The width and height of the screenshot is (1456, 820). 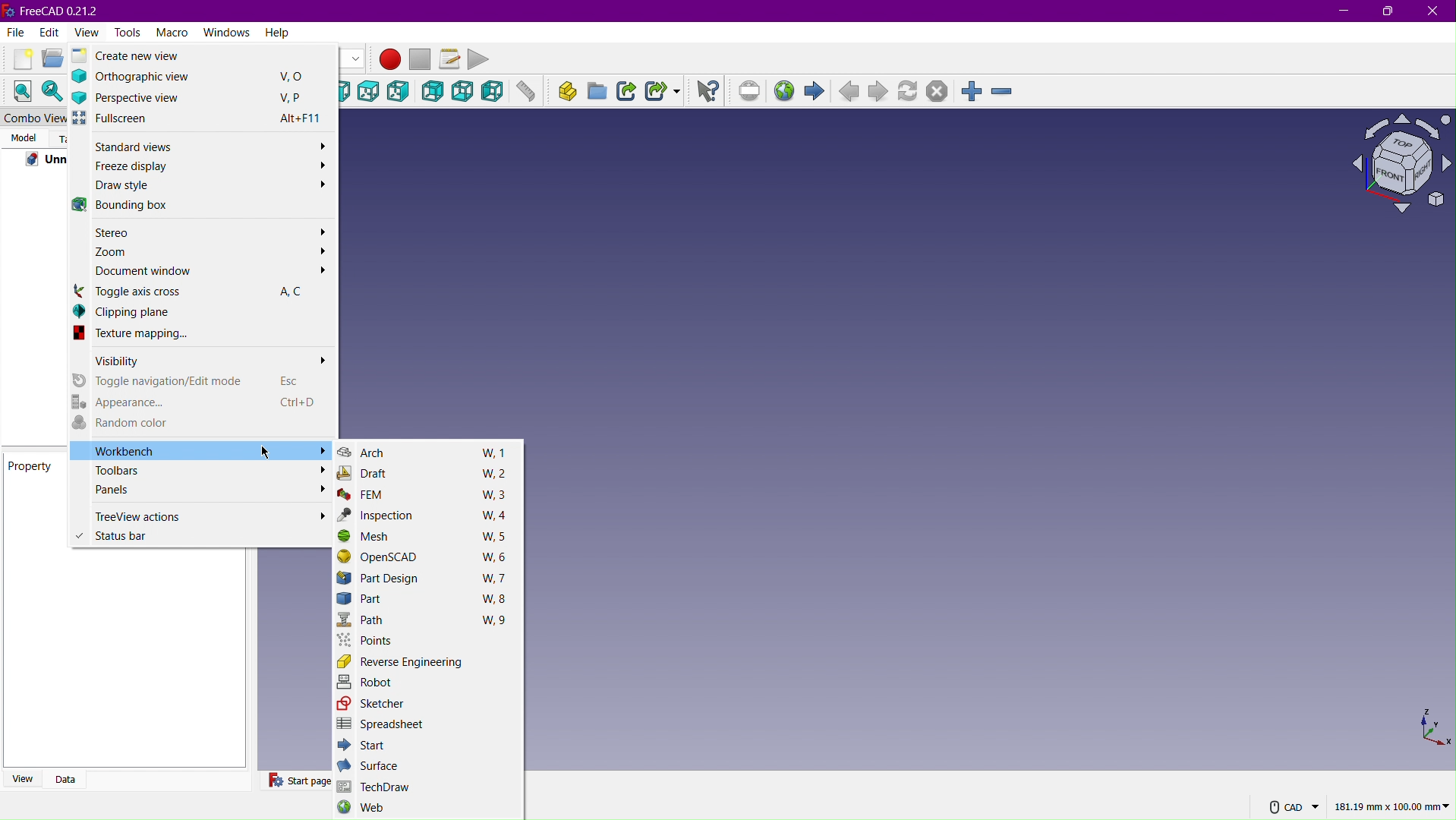 I want to click on Property, so click(x=32, y=465).